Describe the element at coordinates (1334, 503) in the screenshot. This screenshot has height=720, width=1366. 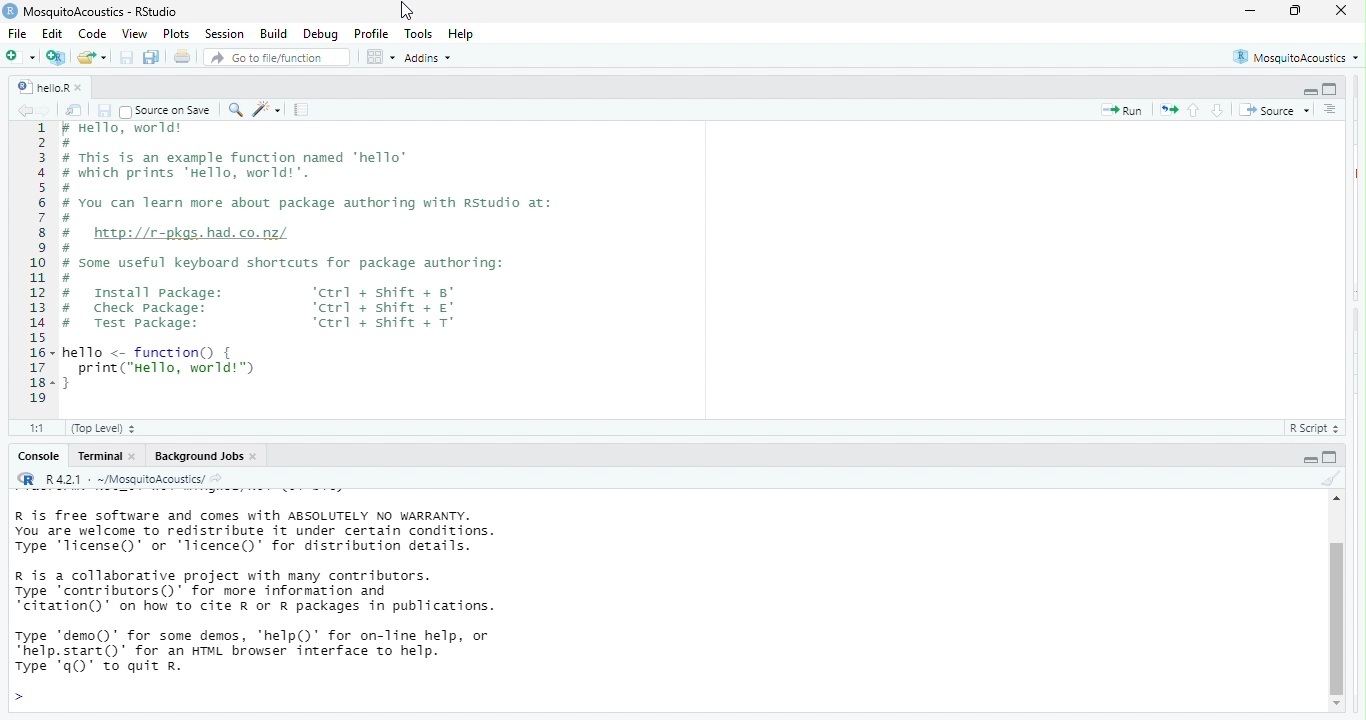
I see `scroll up` at that location.